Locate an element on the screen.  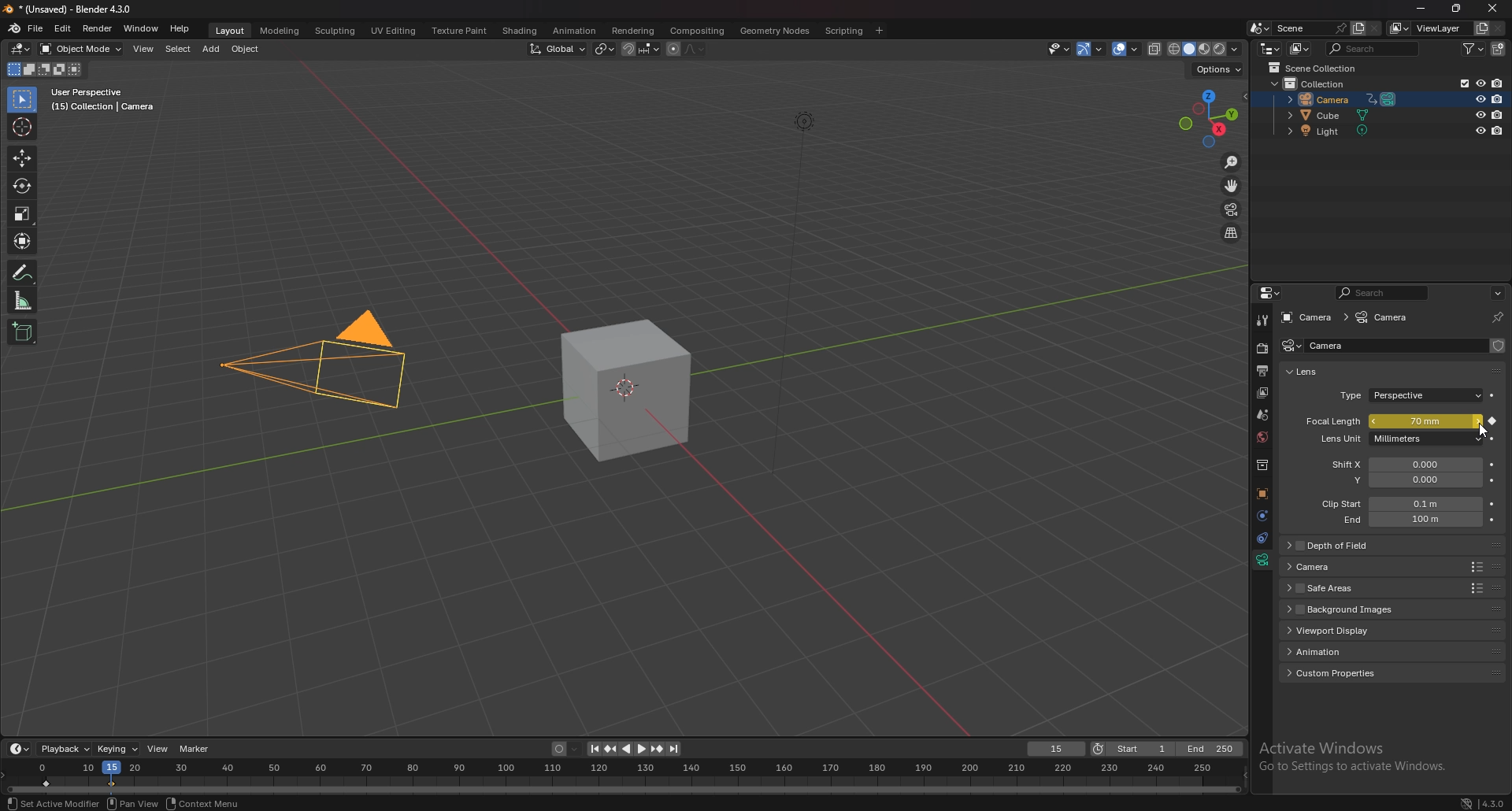
proportional editing falloff is located at coordinates (697, 48).